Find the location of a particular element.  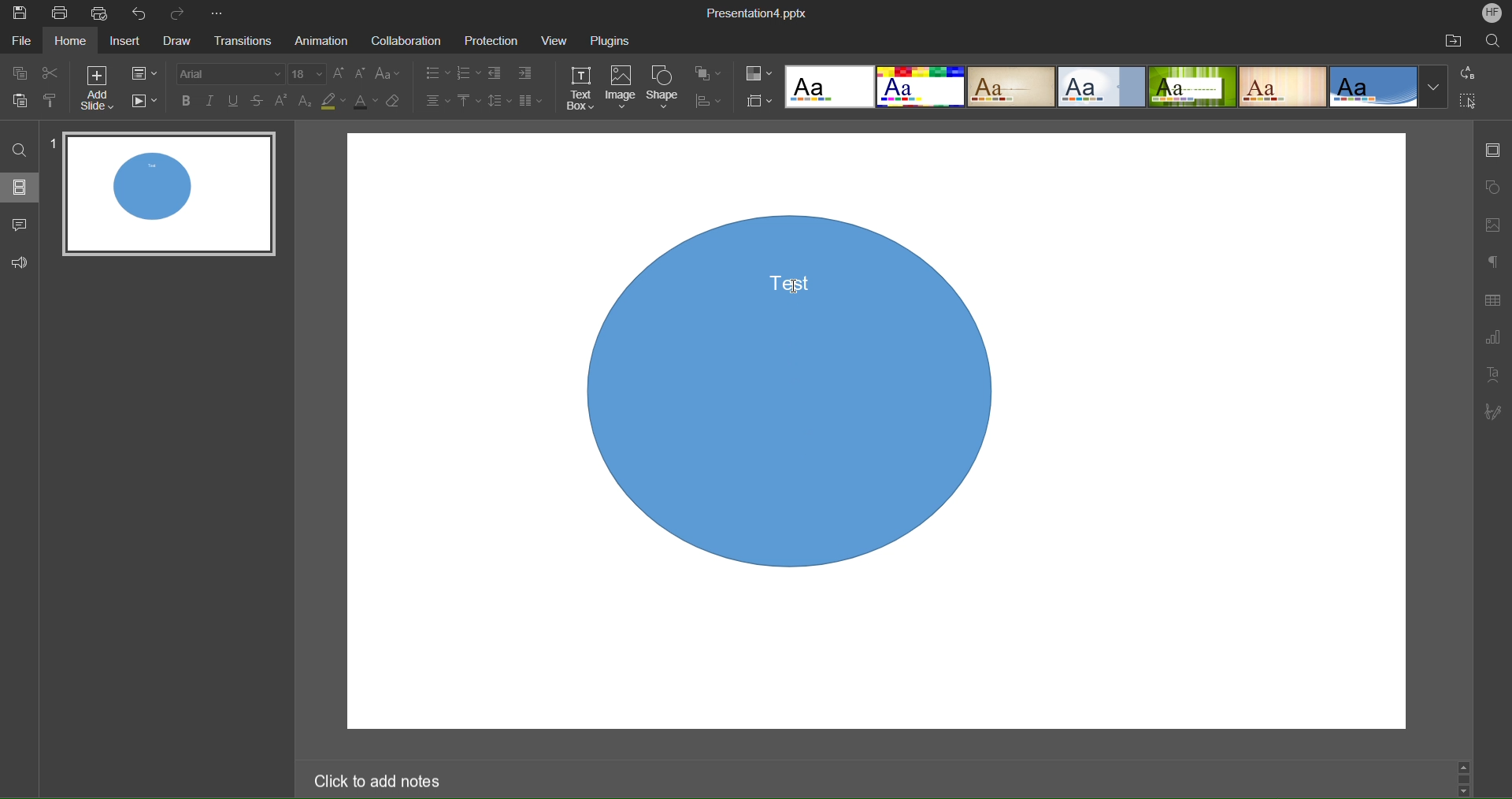

Find is located at coordinates (23, 150).